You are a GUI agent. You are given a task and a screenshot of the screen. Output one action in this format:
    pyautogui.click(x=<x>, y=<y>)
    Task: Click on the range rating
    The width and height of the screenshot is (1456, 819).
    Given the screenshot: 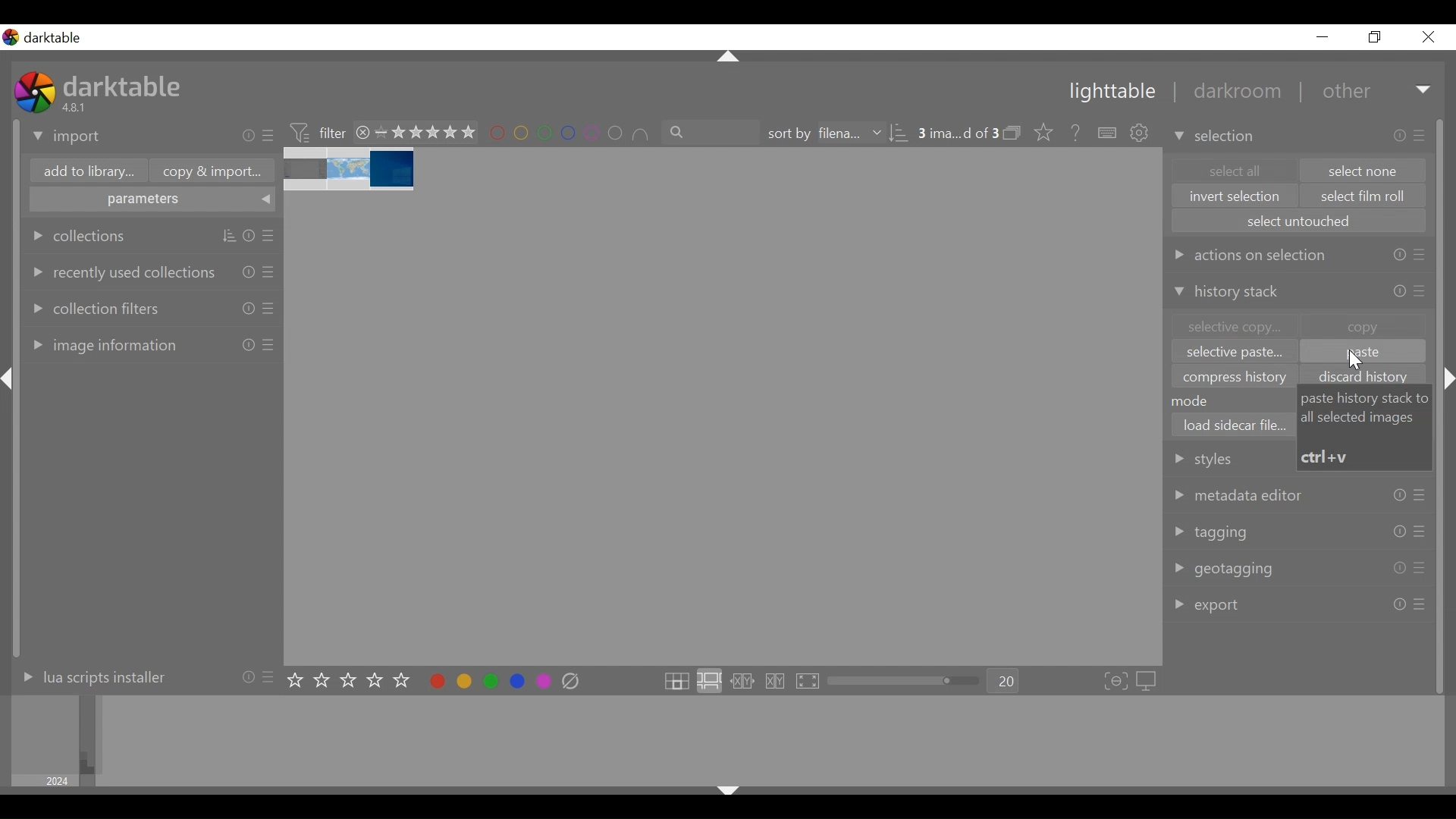 What is the action you would take?
    pyautogui.click(x=425, y=133)
    